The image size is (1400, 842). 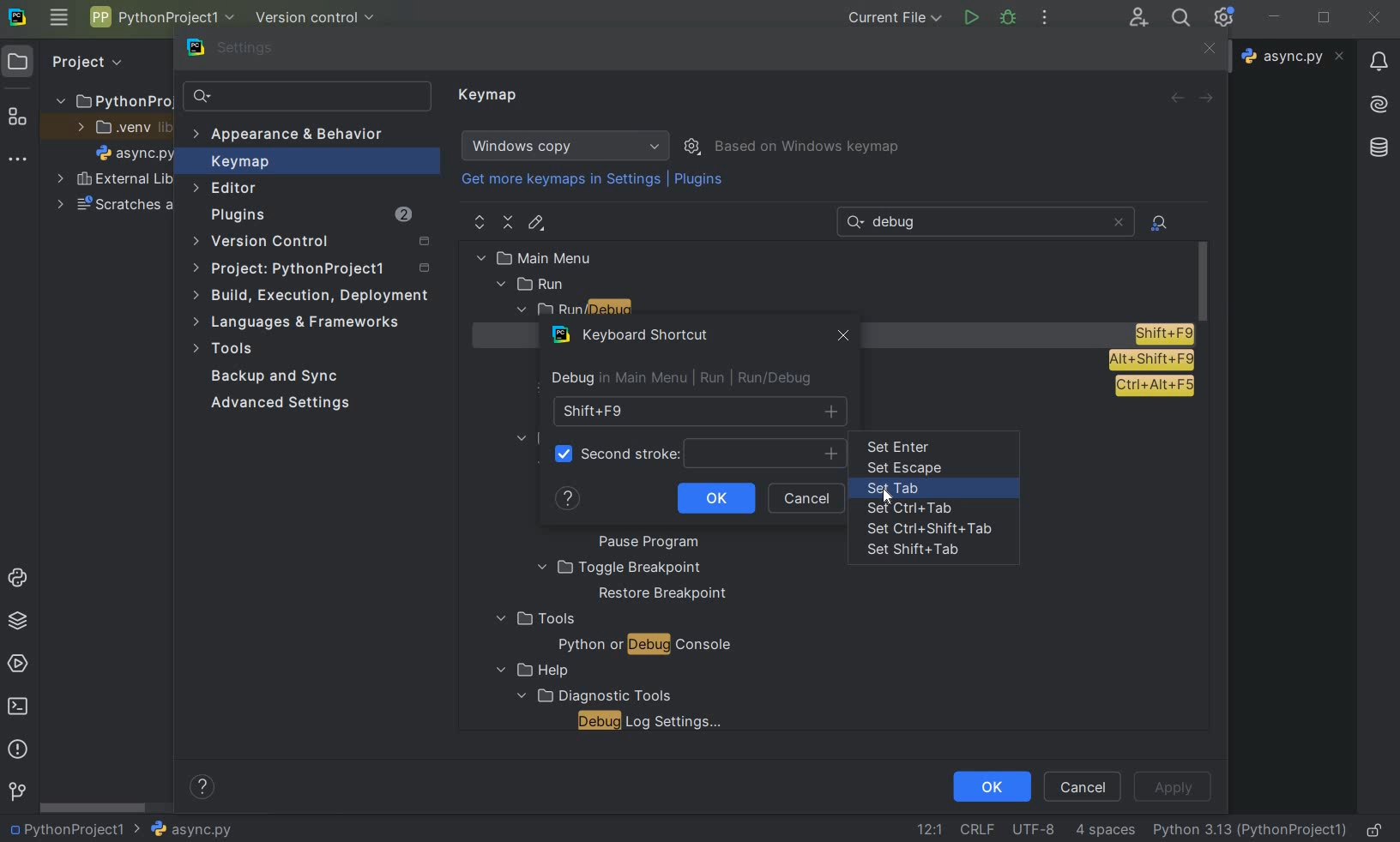 I want to click on project icon, so click(x=18, y=60).